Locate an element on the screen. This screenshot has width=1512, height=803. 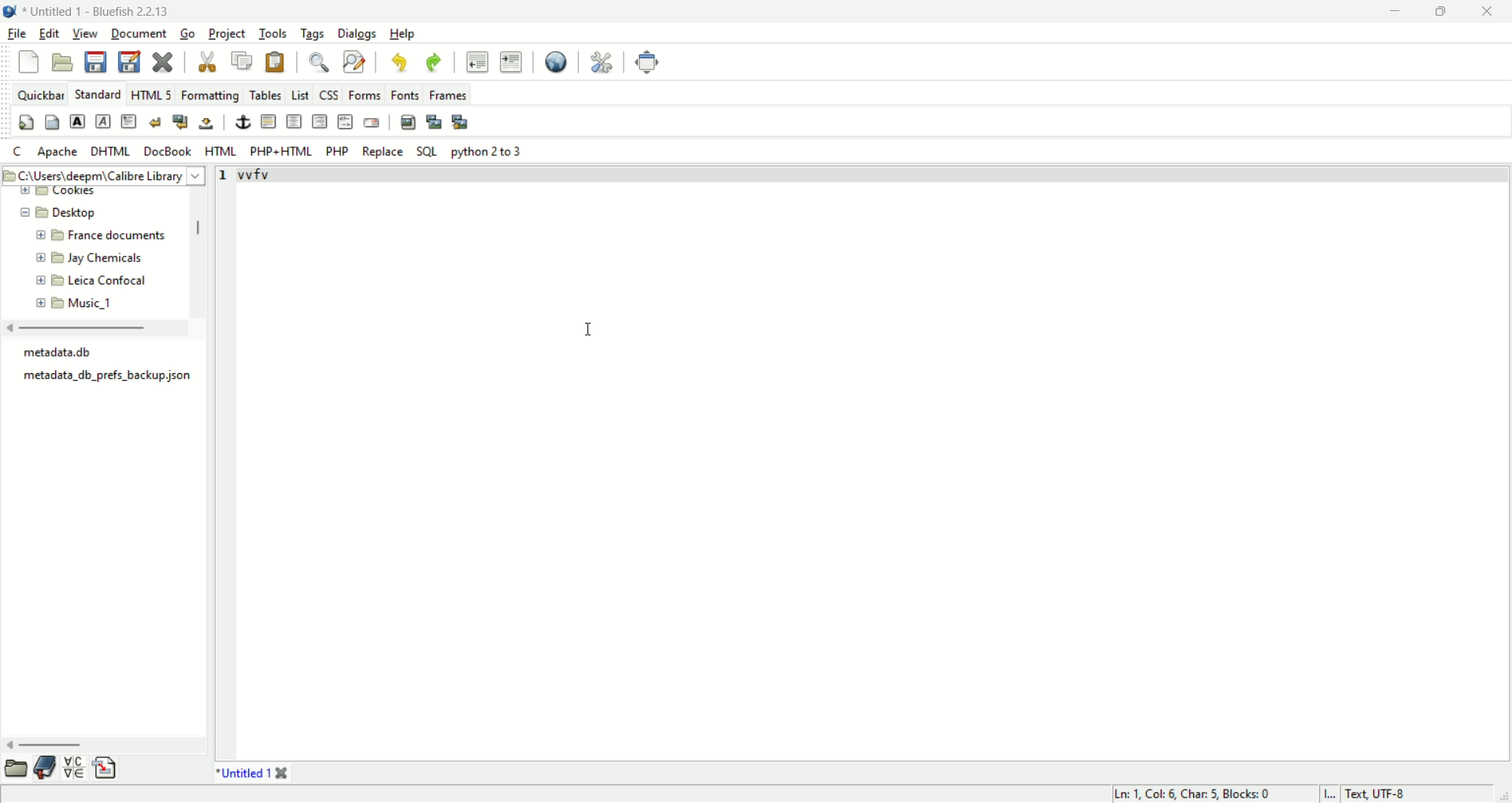
title is located at coordinates (102, 10).